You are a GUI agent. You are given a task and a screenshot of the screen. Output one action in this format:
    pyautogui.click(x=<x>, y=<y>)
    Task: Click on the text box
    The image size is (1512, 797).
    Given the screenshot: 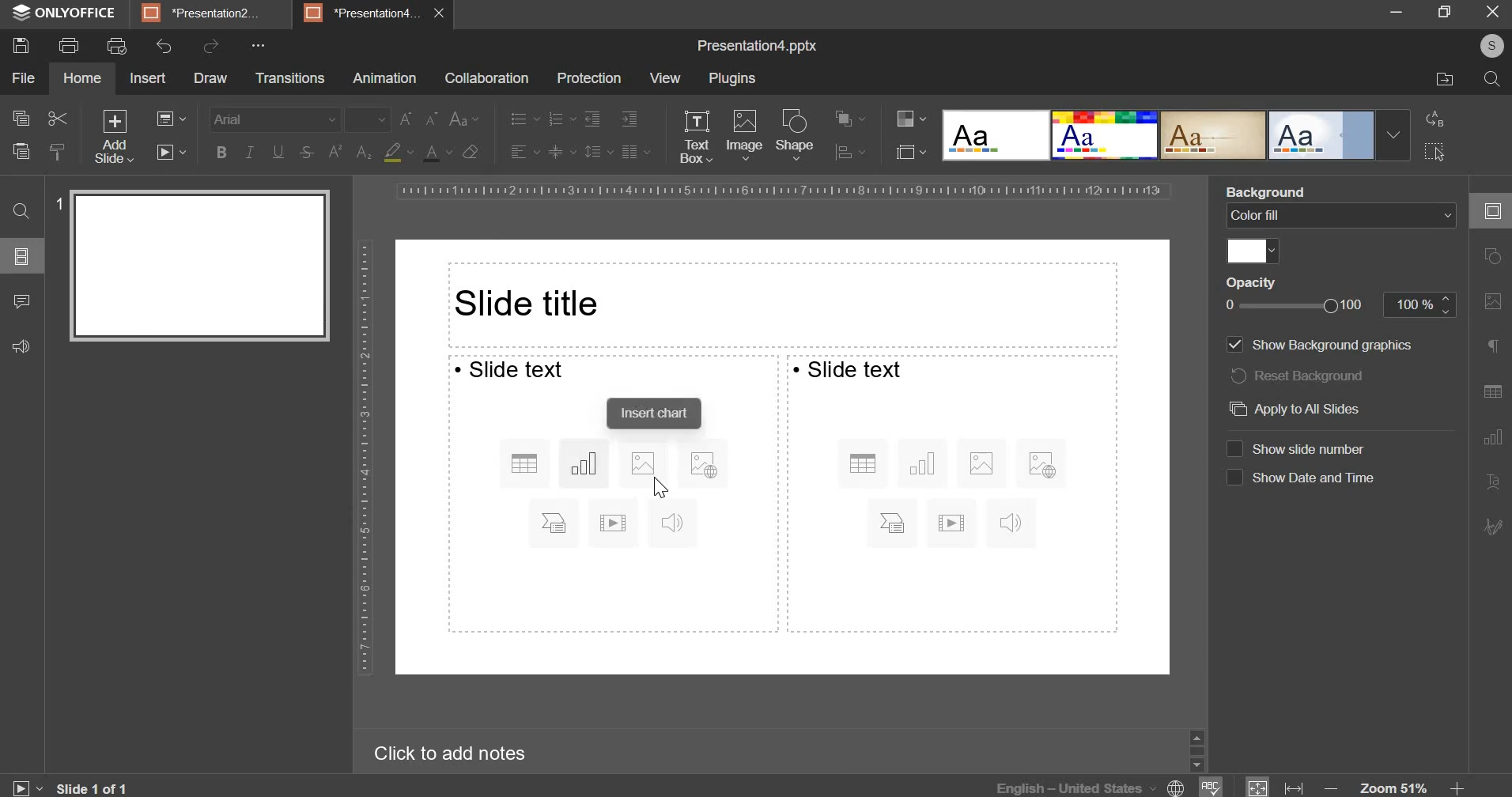 What is the action you would take?
    pyautogui.click(x=697, y=138)
    